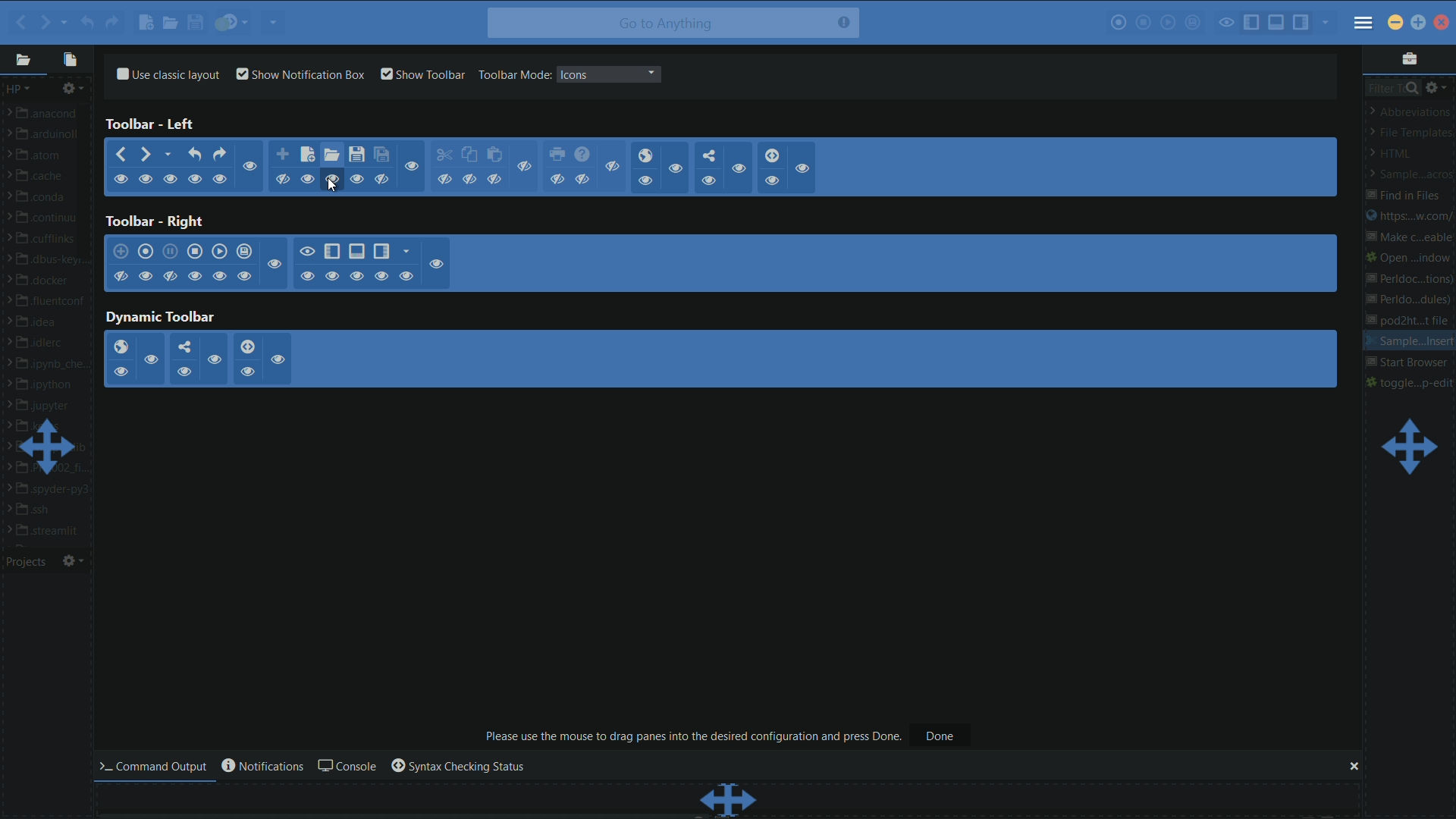  What do you see at coordinates (173, 179) in the screenshot?
I see `show/hide` at bounding box center [173, 179].